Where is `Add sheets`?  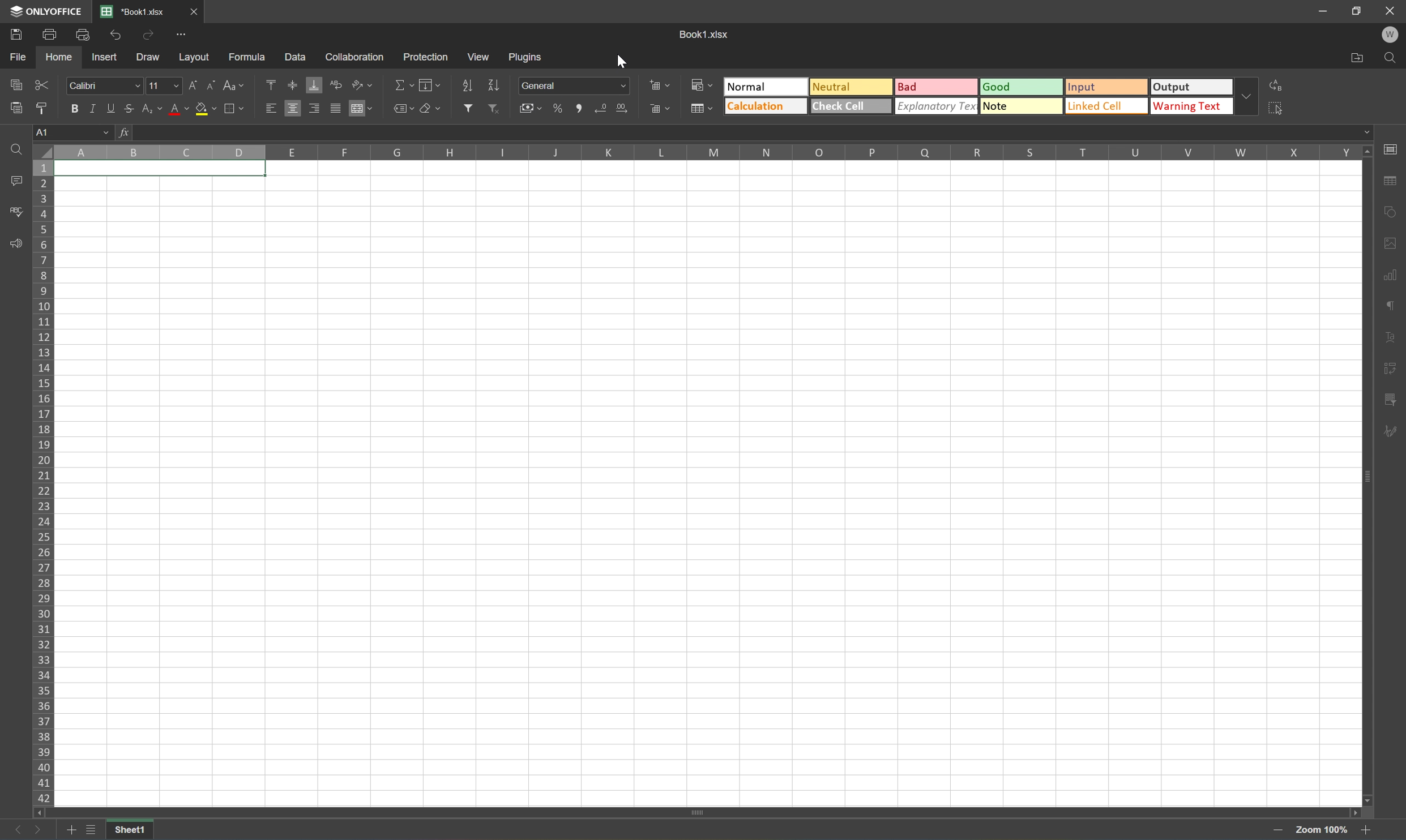 Add sheets is located at coordinates (71, 832).